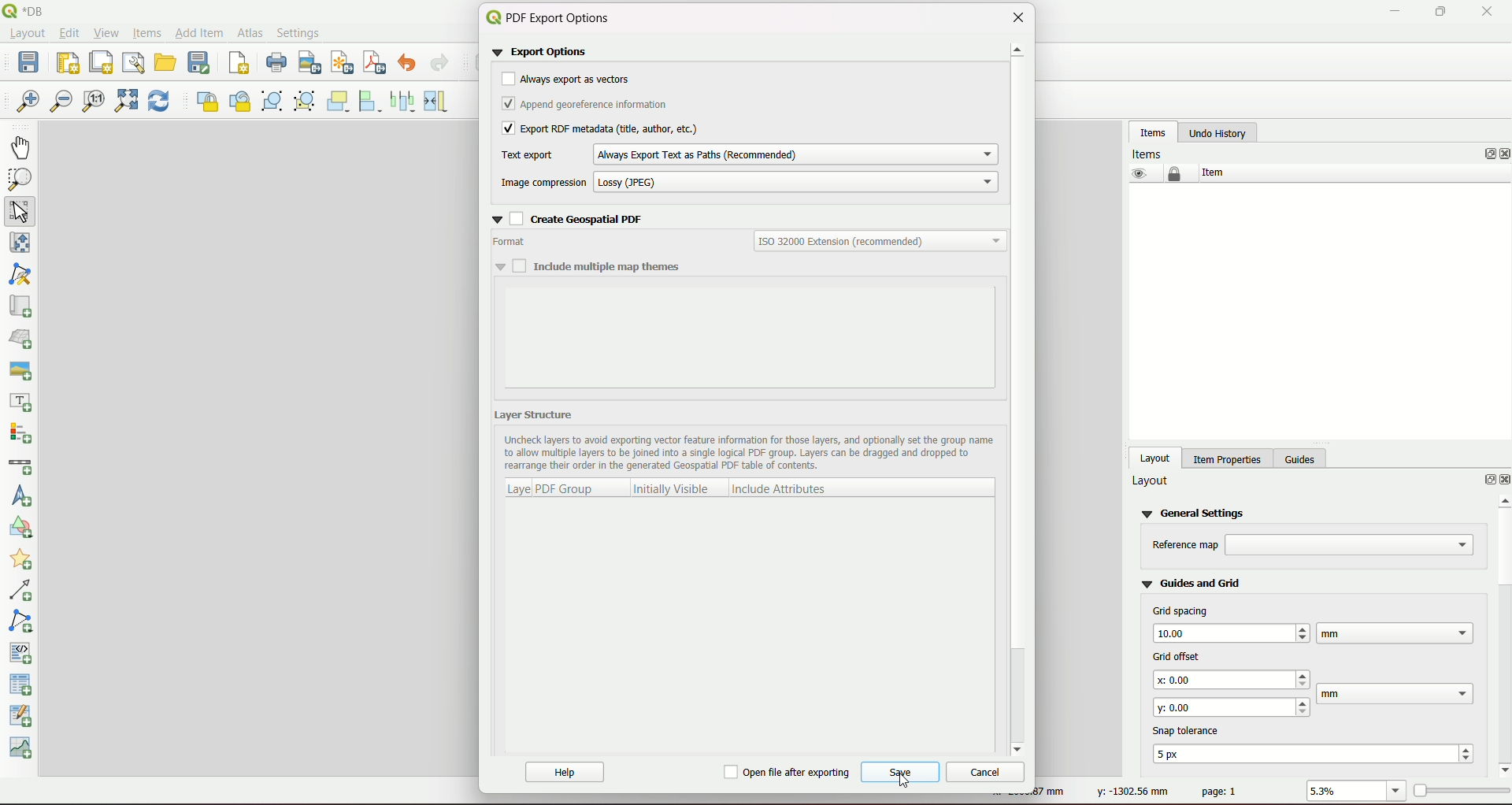 This screenshot has width=1512, height=805. Describe the element at coordinates (23, 718) in the screenshot. I see `add attribute table` at that location.